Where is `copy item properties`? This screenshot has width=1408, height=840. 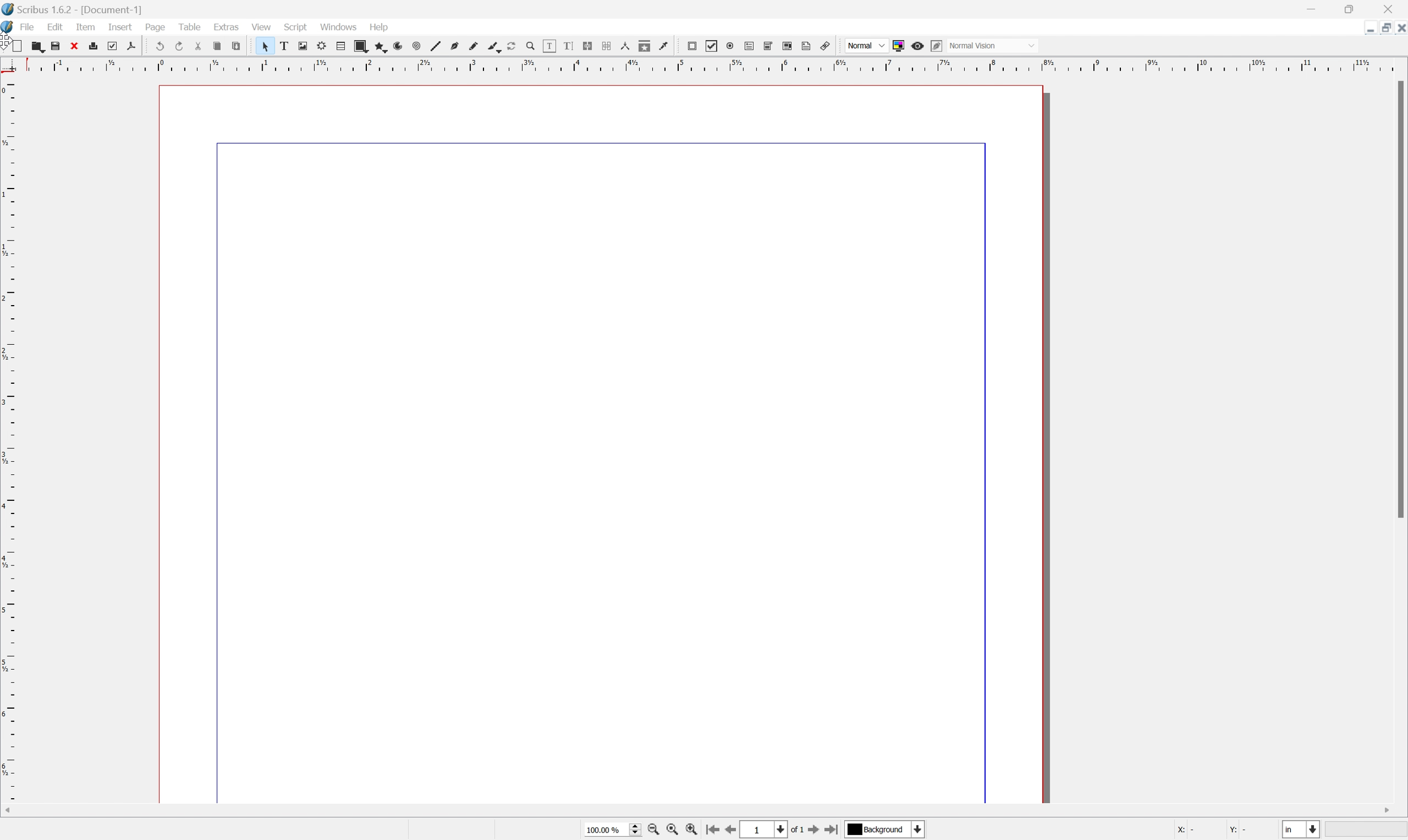
copy item properties is located at coordinates (645, 46).